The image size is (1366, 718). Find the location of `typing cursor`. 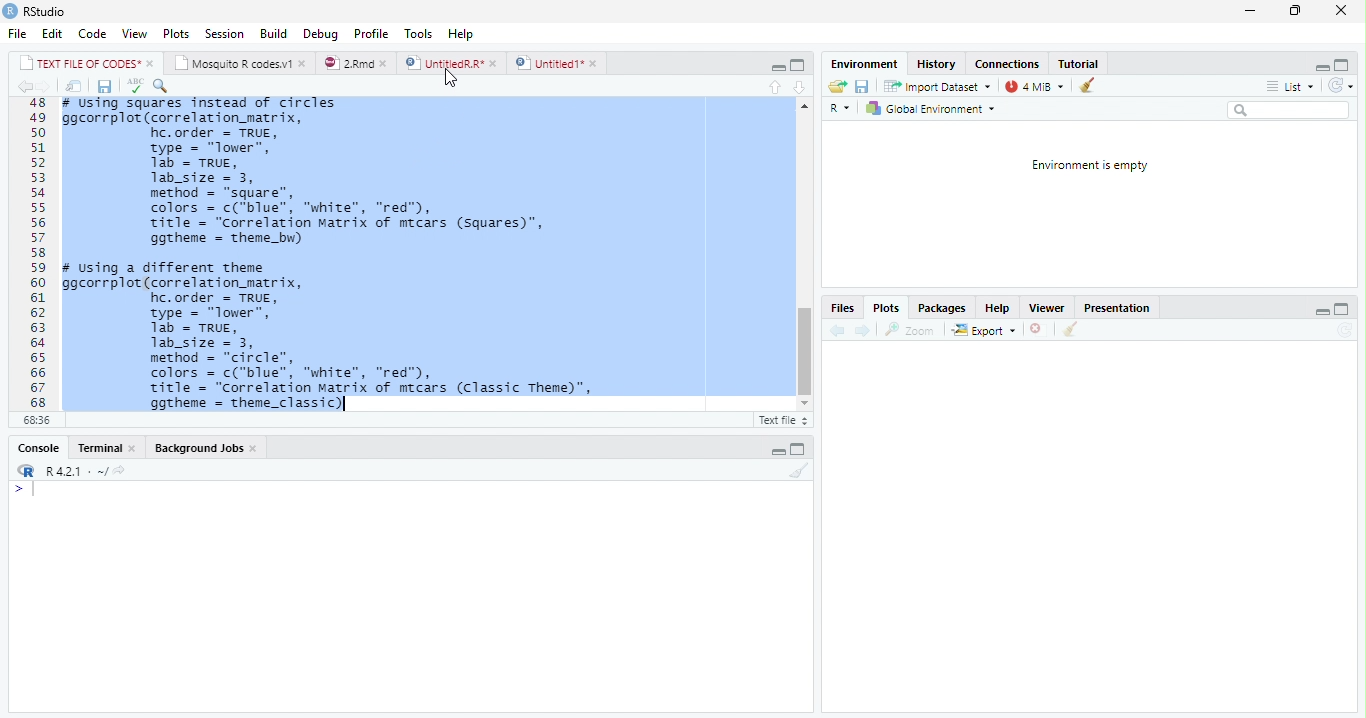

typing cursor is located at coordinates (26, 492).